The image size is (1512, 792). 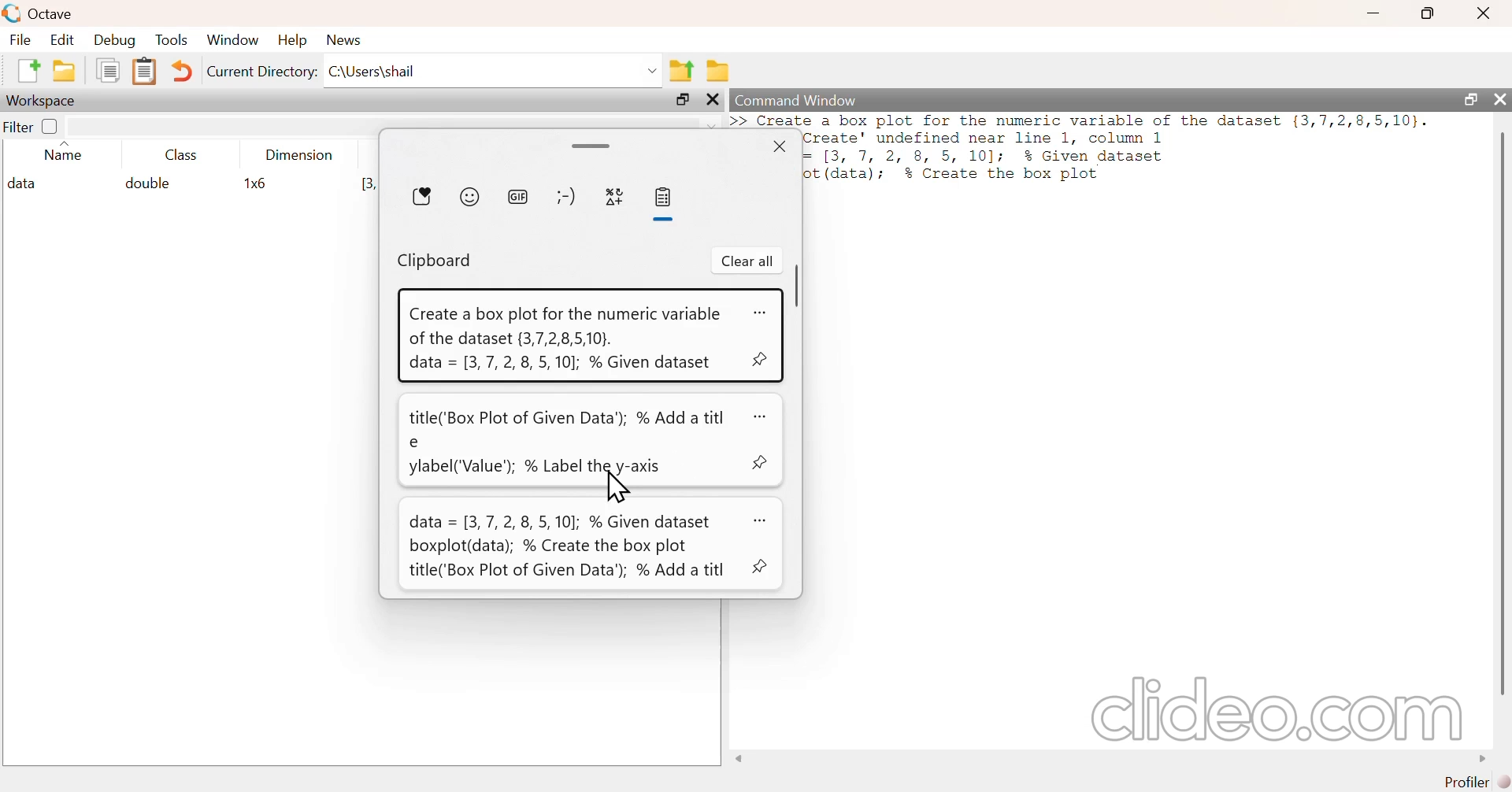 What do you see at coordinates (186, 69) in the screenshot?
I see `undo` at bounding box center [186, 69].